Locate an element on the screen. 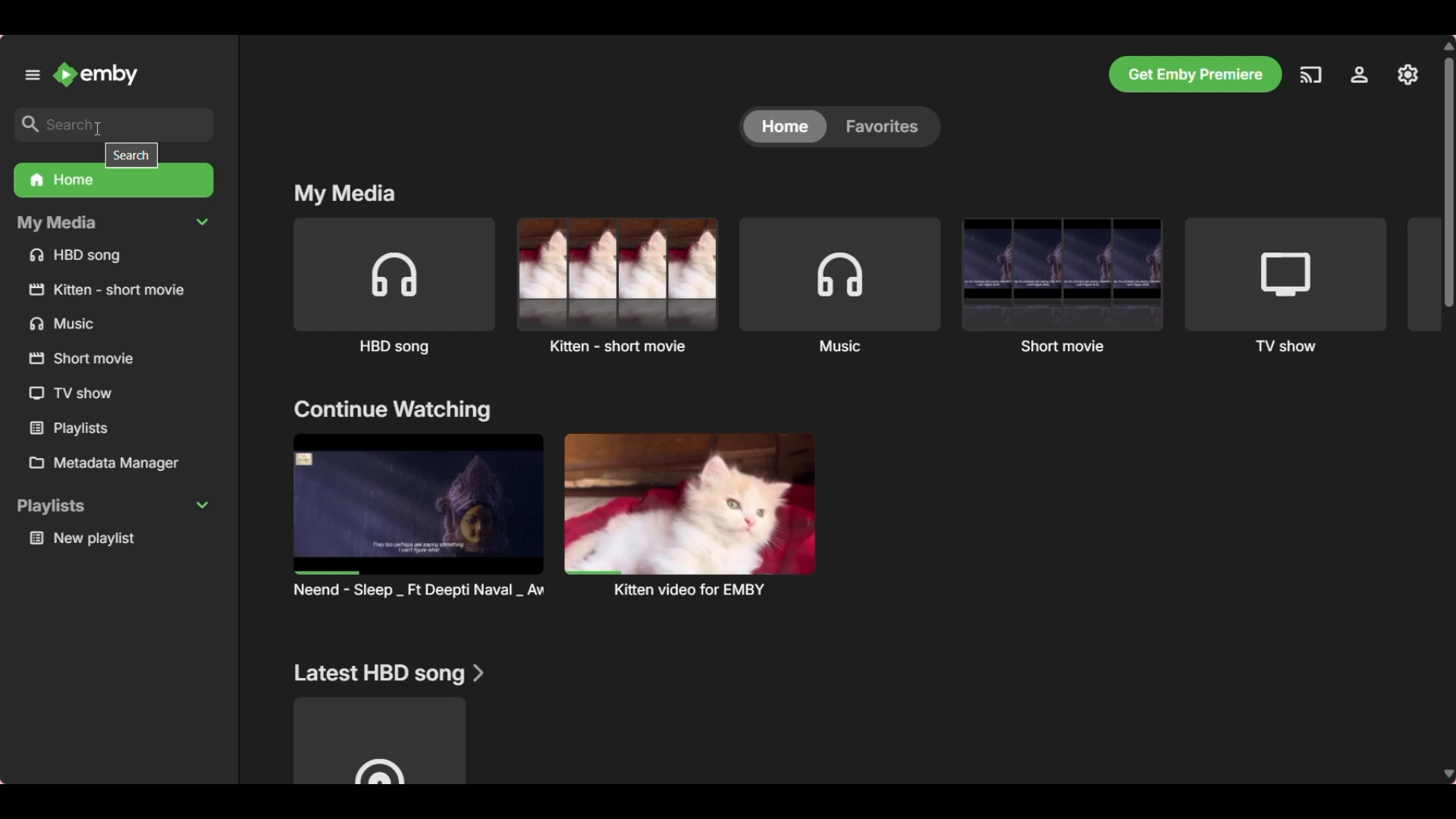  Section title is located at coordinates (388, 674).